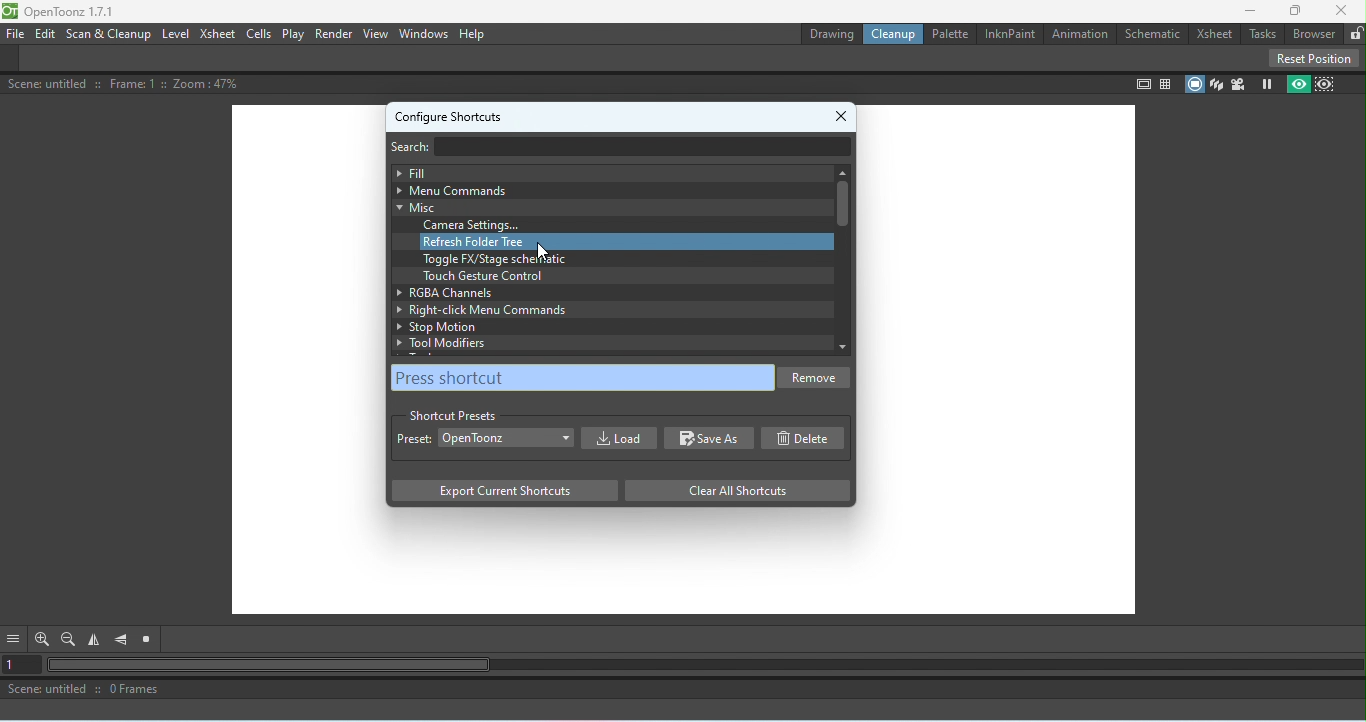  What do you see at coordinates (949, 34) in the screenshot?
I see `Palettte` at bounding box center [949, 34].